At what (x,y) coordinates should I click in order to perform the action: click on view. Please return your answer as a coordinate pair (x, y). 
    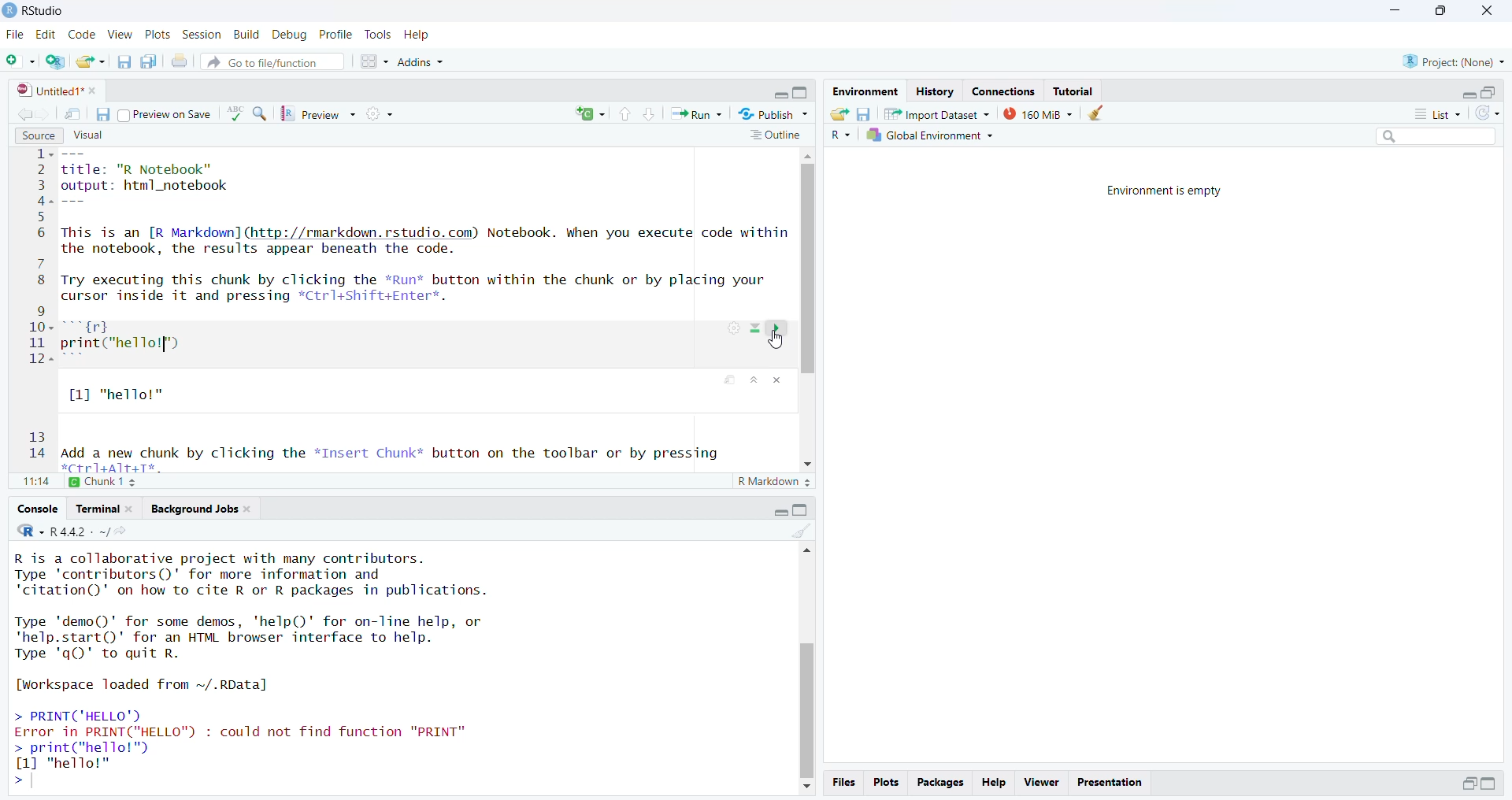
    Looking at the image, I should click on (120, 35).